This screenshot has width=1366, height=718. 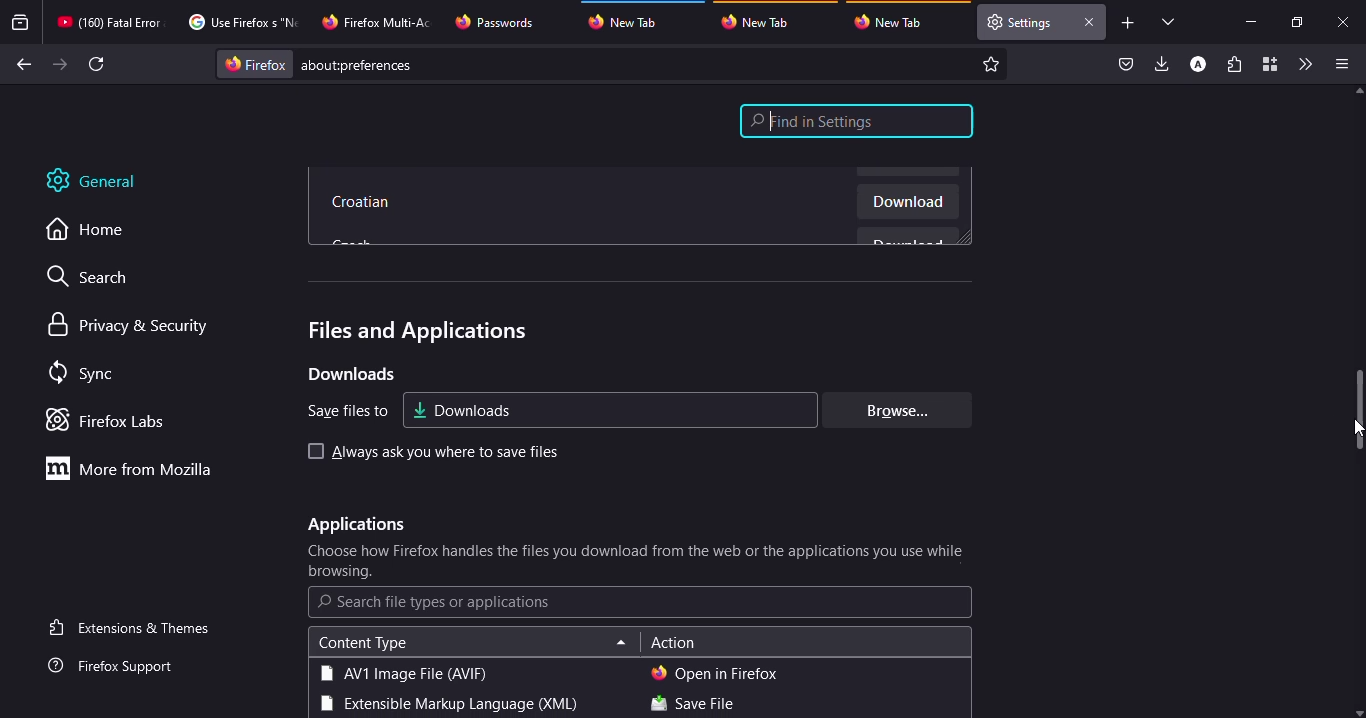 What do you see at coordinates (715, 673) in the screenshot?
I see `open` at bounding box center [715, 673].